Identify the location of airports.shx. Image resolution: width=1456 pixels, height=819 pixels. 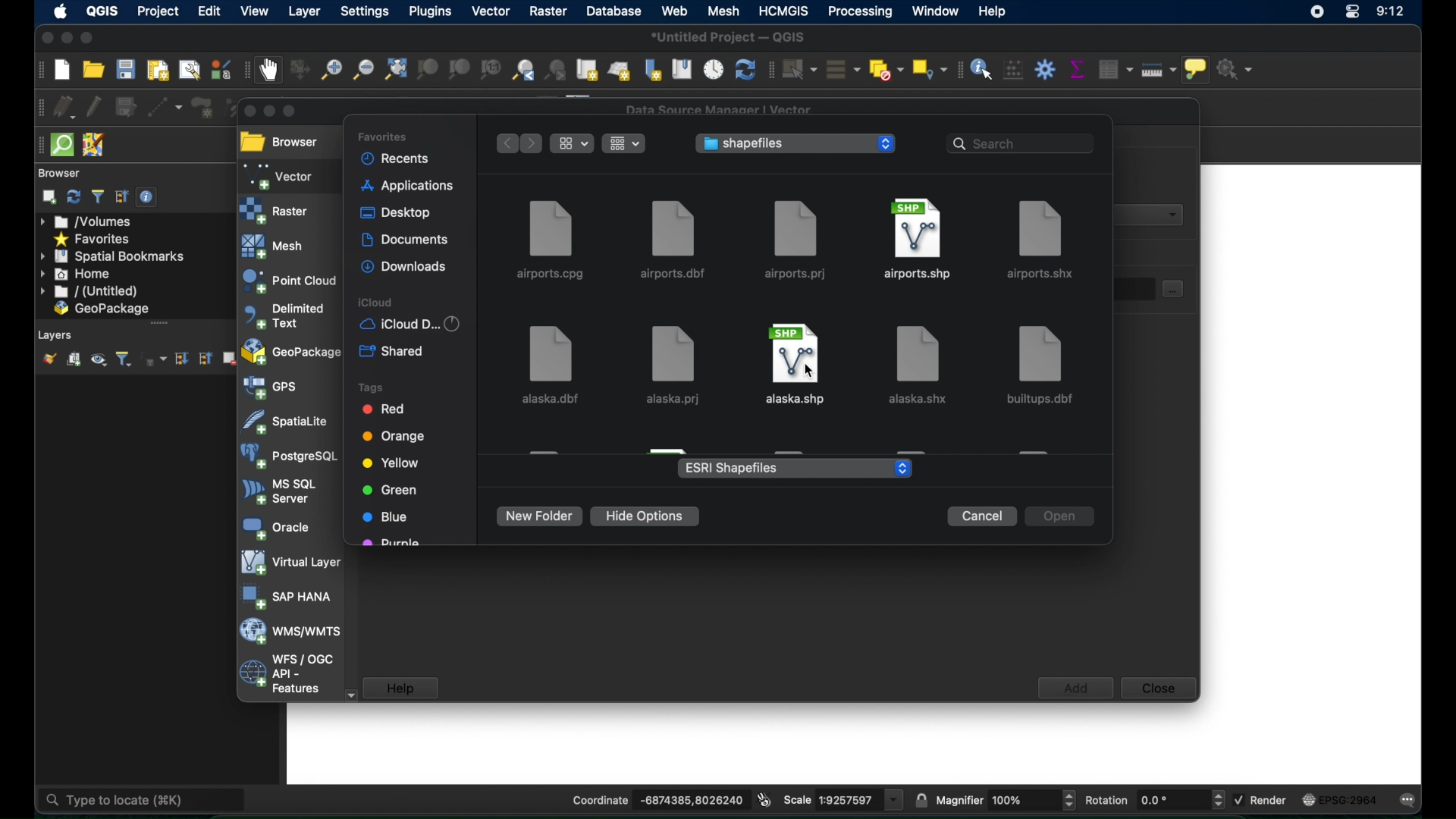
(1040, 240).